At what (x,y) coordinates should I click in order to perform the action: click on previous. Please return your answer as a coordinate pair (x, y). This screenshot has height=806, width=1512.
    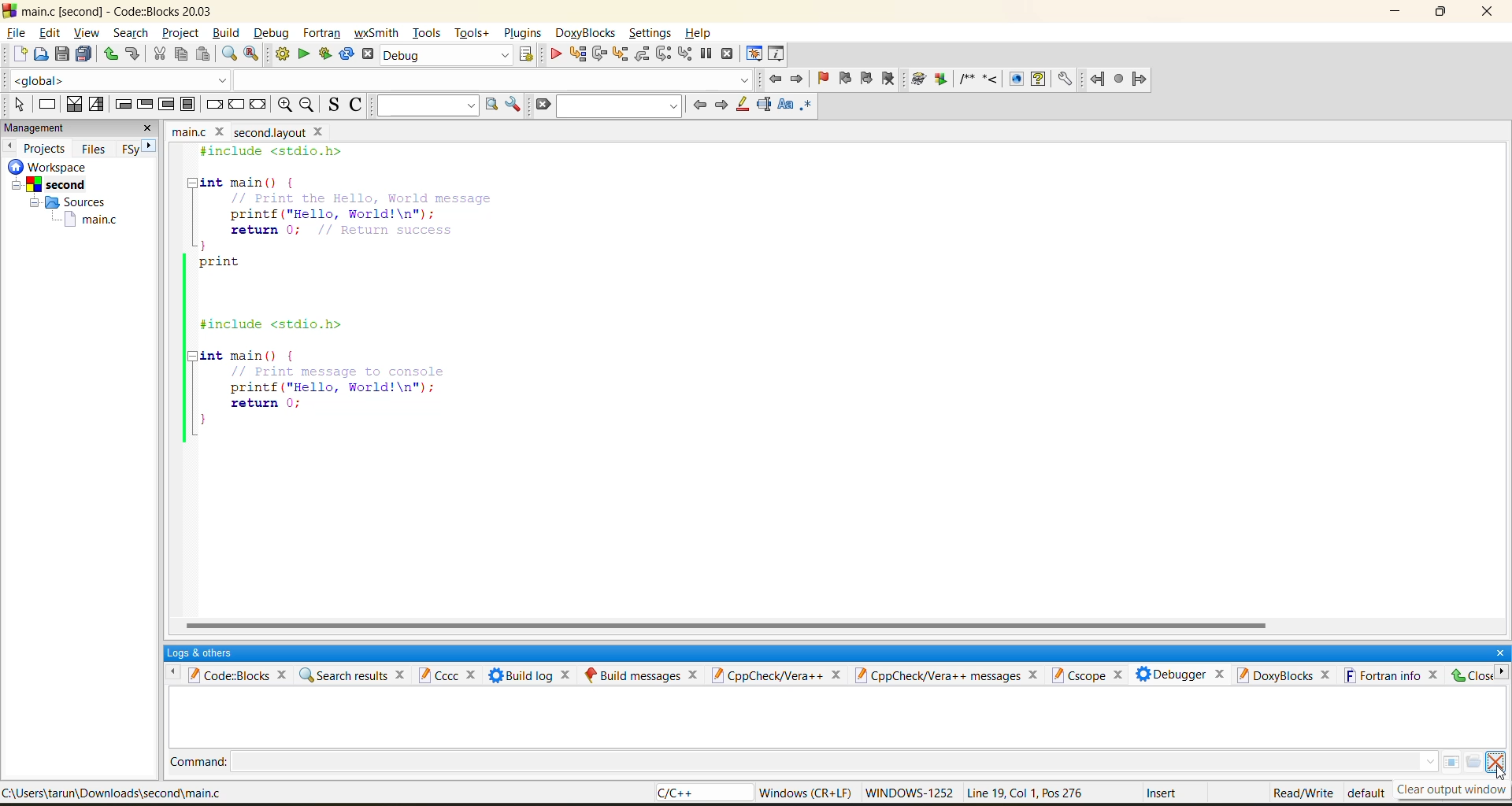
    Looking at the image, I should click on (9, 147).